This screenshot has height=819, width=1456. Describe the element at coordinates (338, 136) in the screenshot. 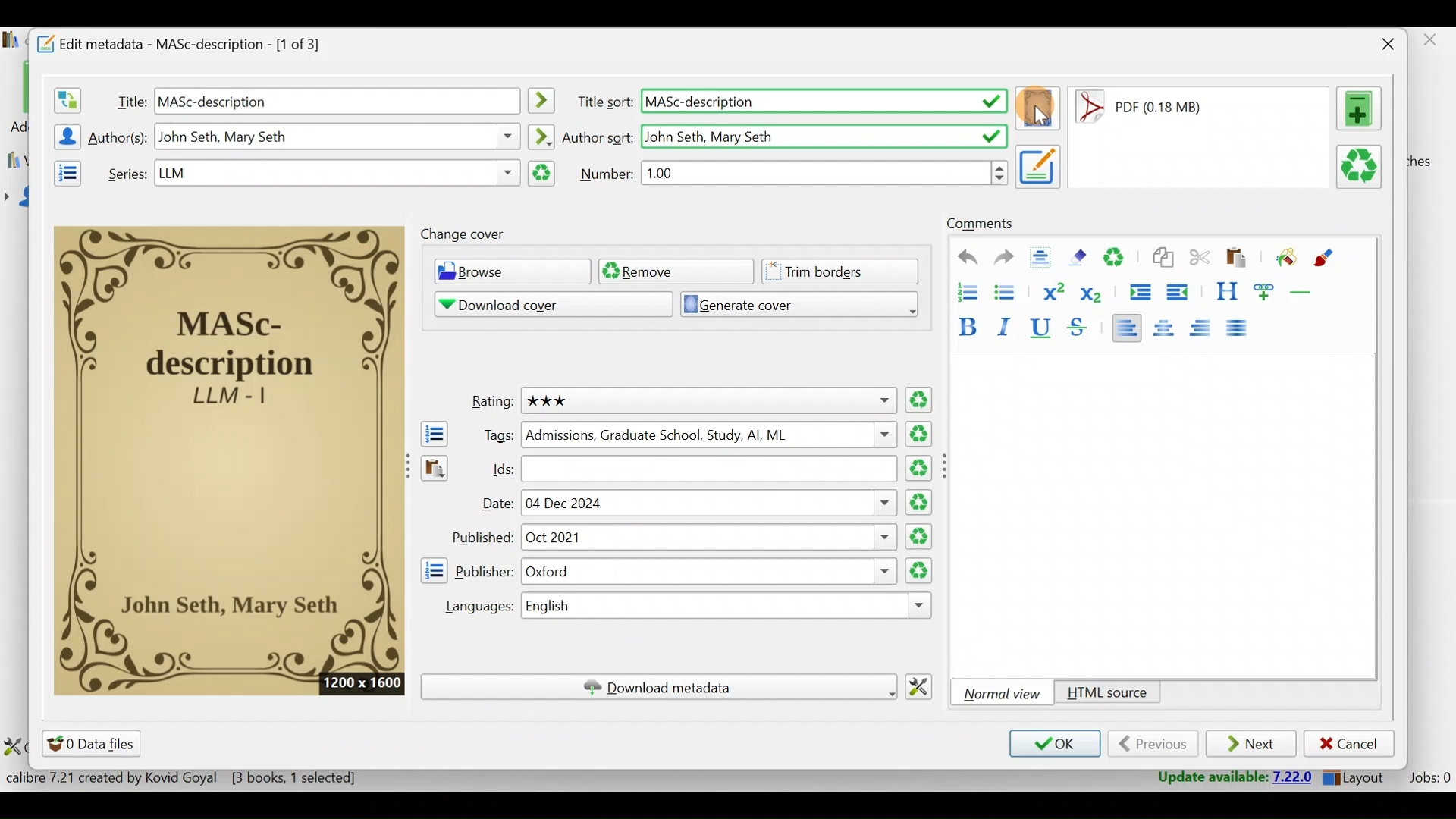

I see `` at that location.